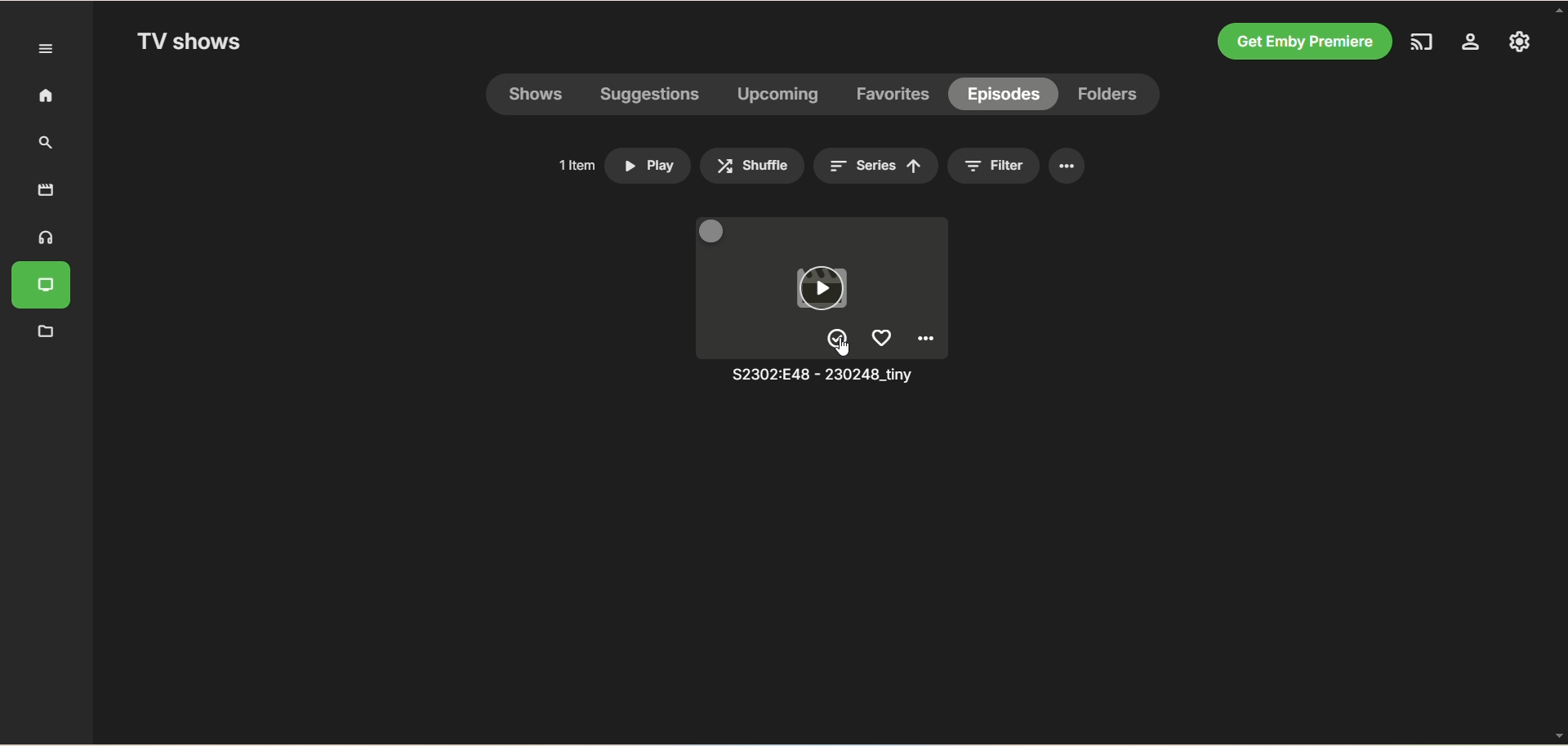  What do you see at coordinates (751, 165) in the screenshot?
I see `Shuffle` at bounding box center [751, 165].